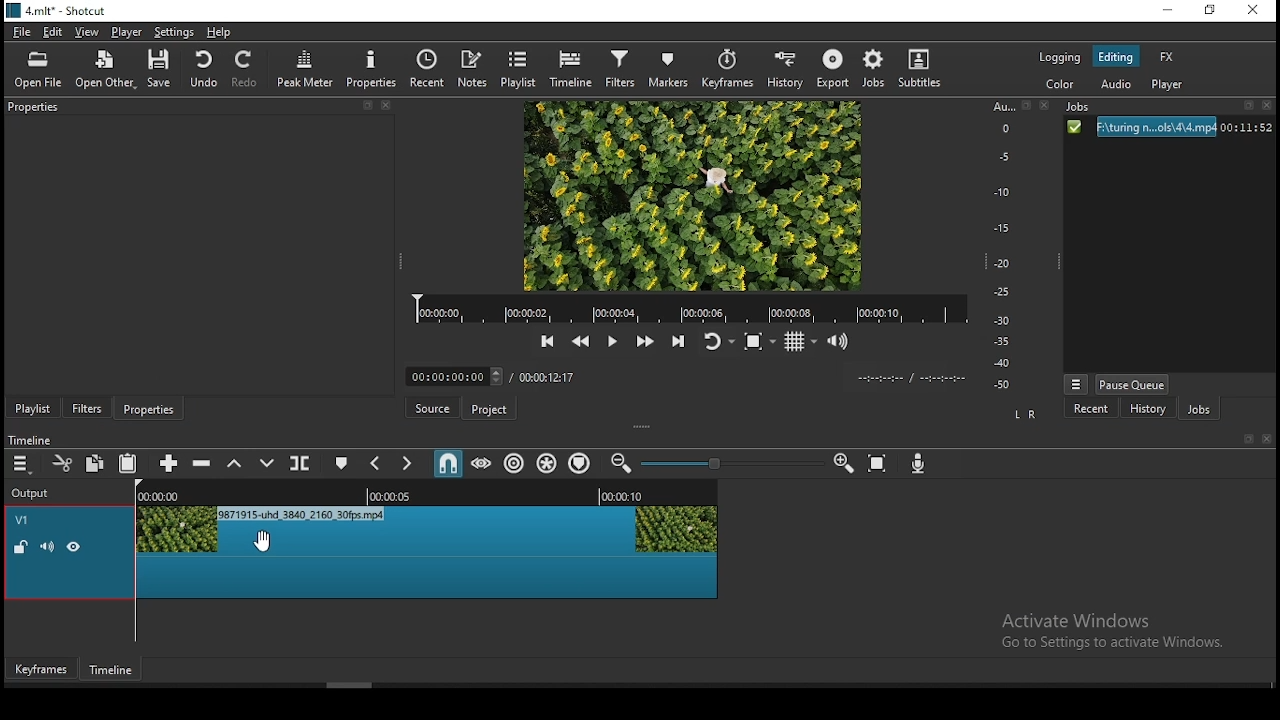 Image resolution: width=1280 pixels, height=720 pixels. I want to click on play/pause, so click(611, 342).